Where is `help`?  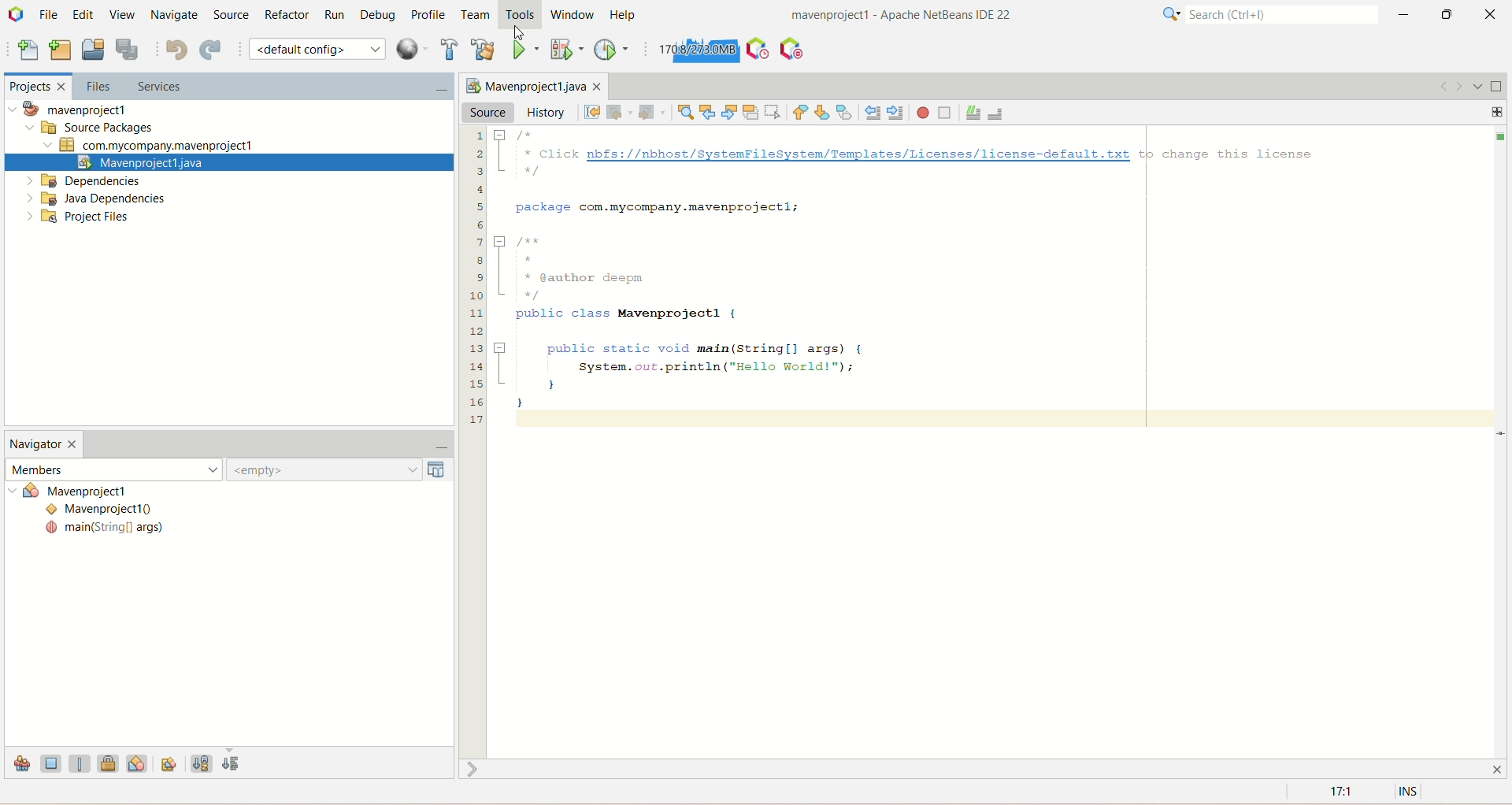
help is located at coordinates (627, 14).